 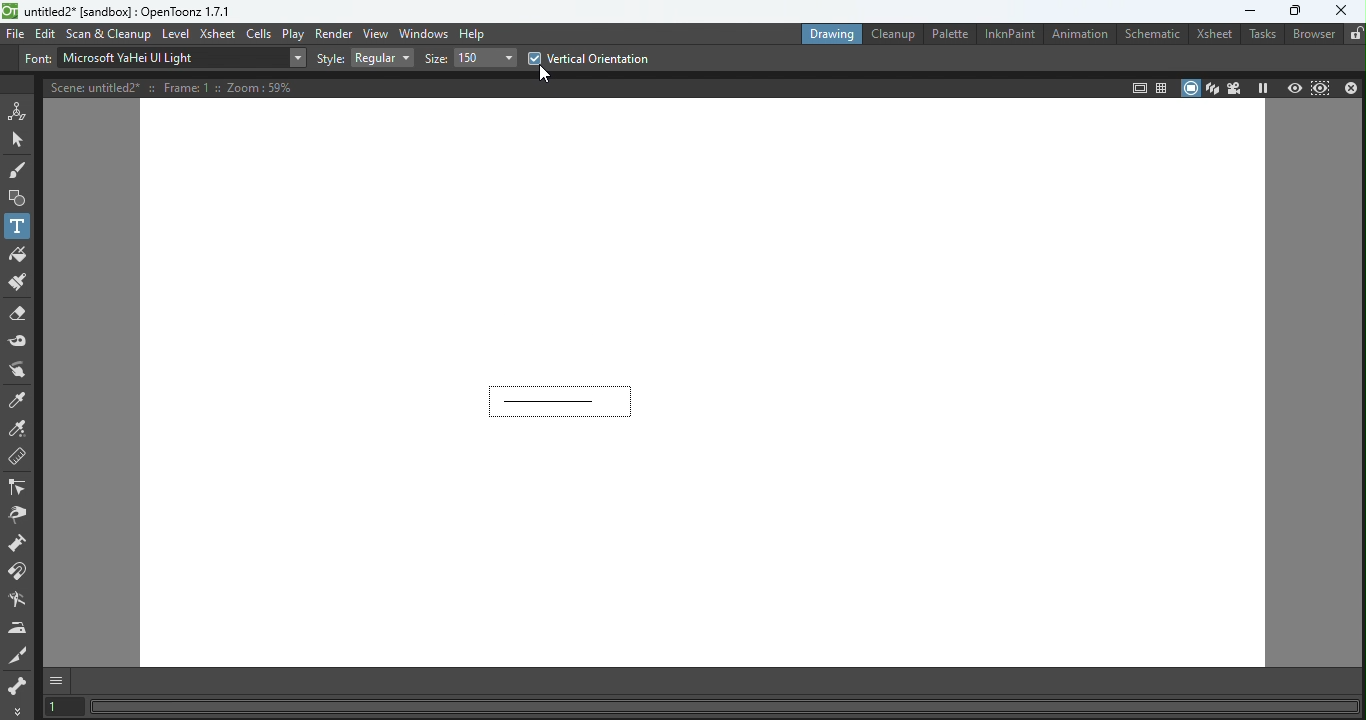 What do you see at coordinates (377, 35) in the screenshot?
I see `View` at bounding box center [377, 35].